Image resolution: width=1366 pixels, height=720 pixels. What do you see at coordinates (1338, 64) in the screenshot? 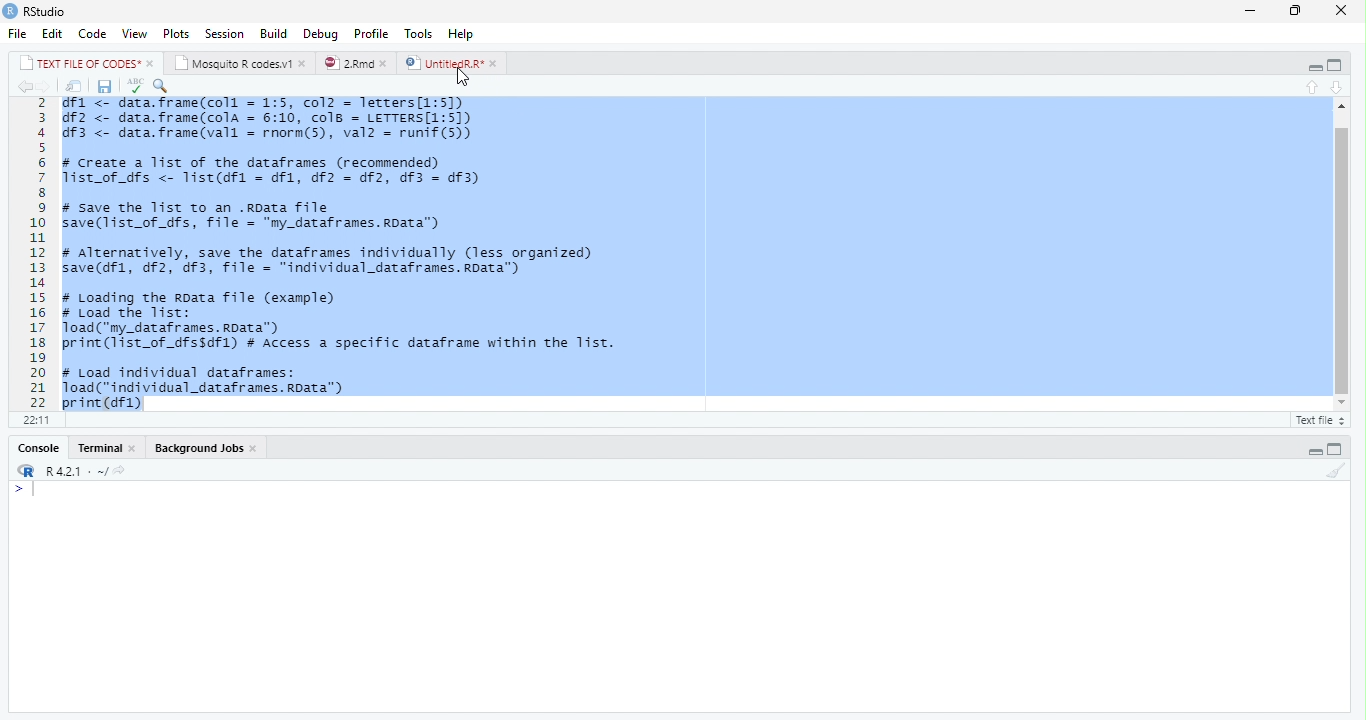
I see `Full Height` at bounding box center [1338, 64].